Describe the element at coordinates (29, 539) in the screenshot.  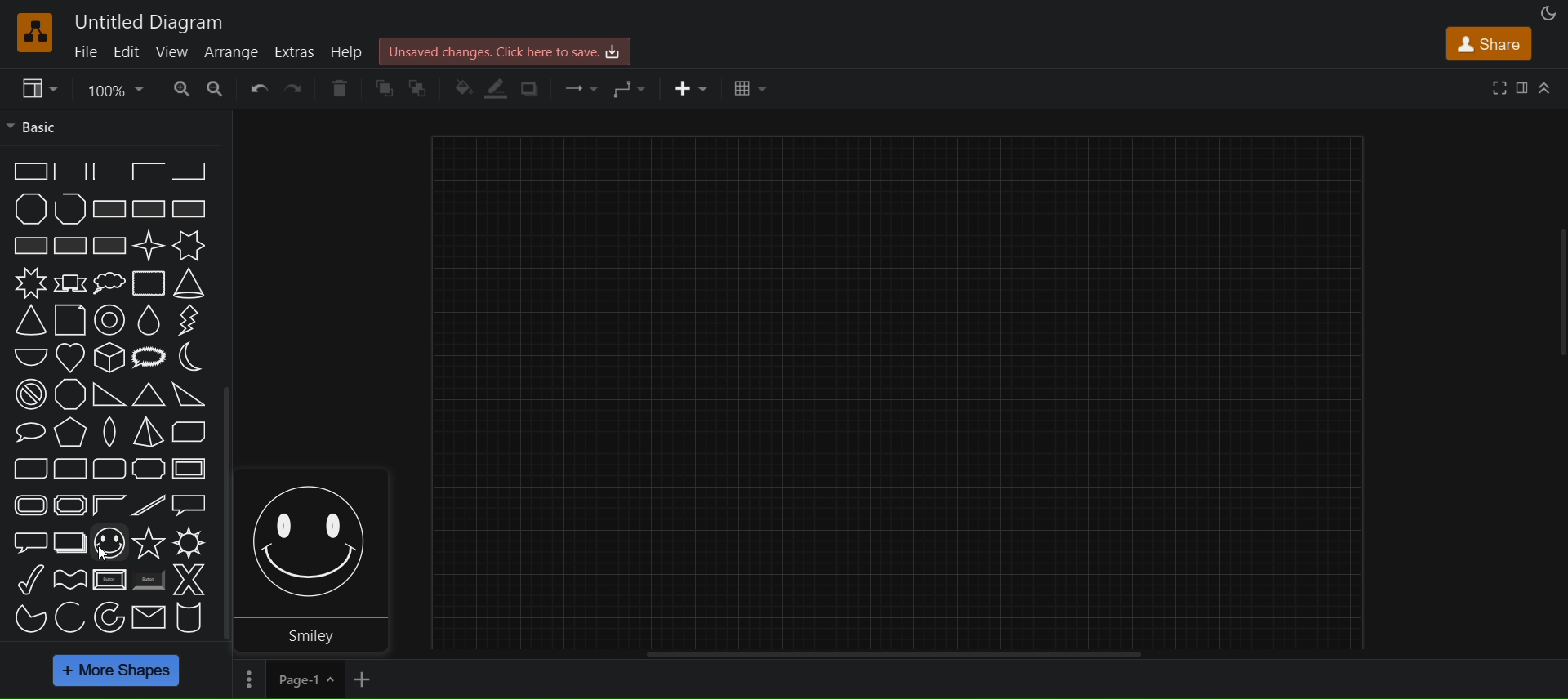
I see `rounded rectangular callout` at that location.